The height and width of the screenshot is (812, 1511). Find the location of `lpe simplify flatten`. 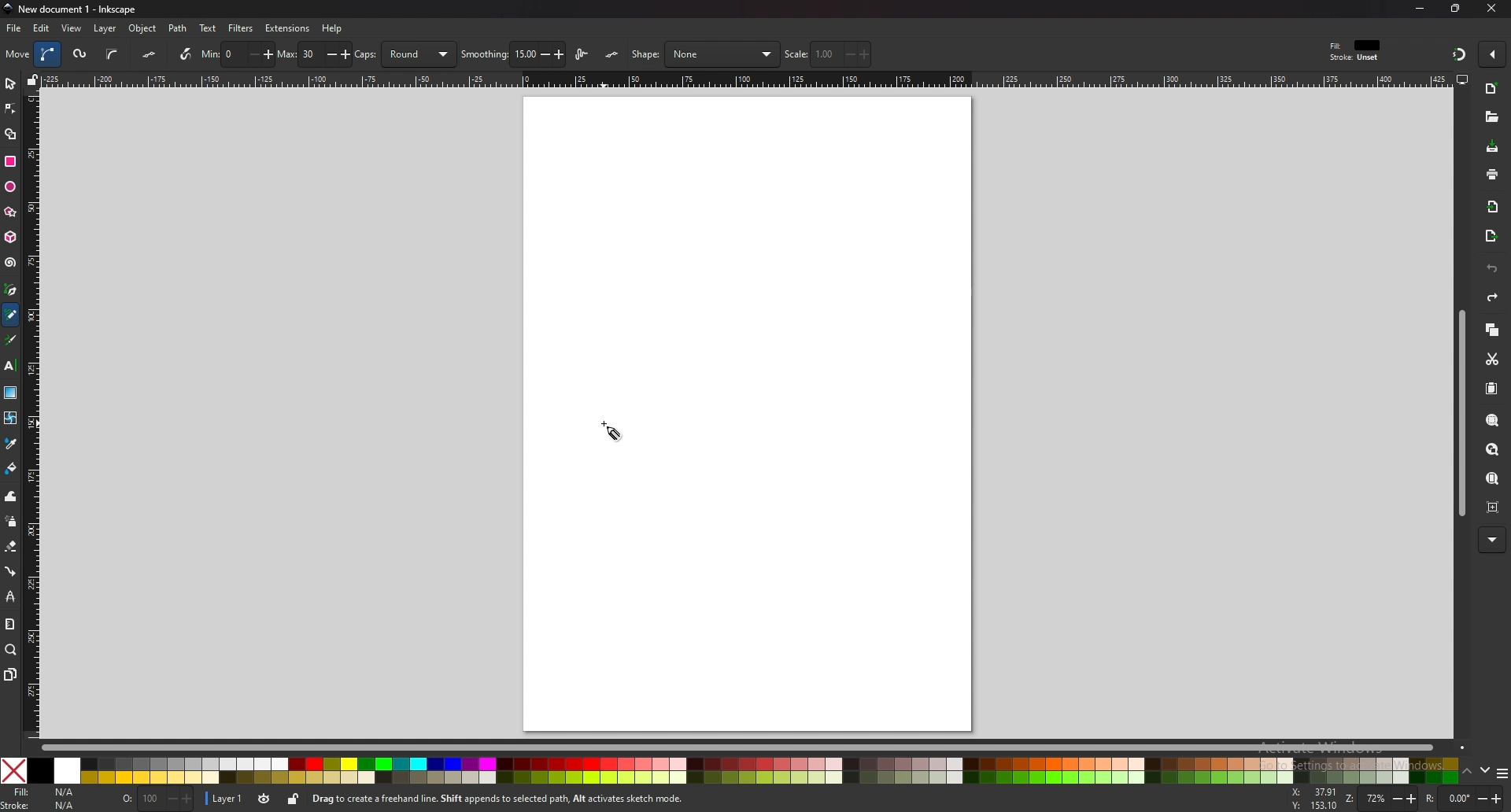

lpe simplify flatten is located at coordinates (611, 55).